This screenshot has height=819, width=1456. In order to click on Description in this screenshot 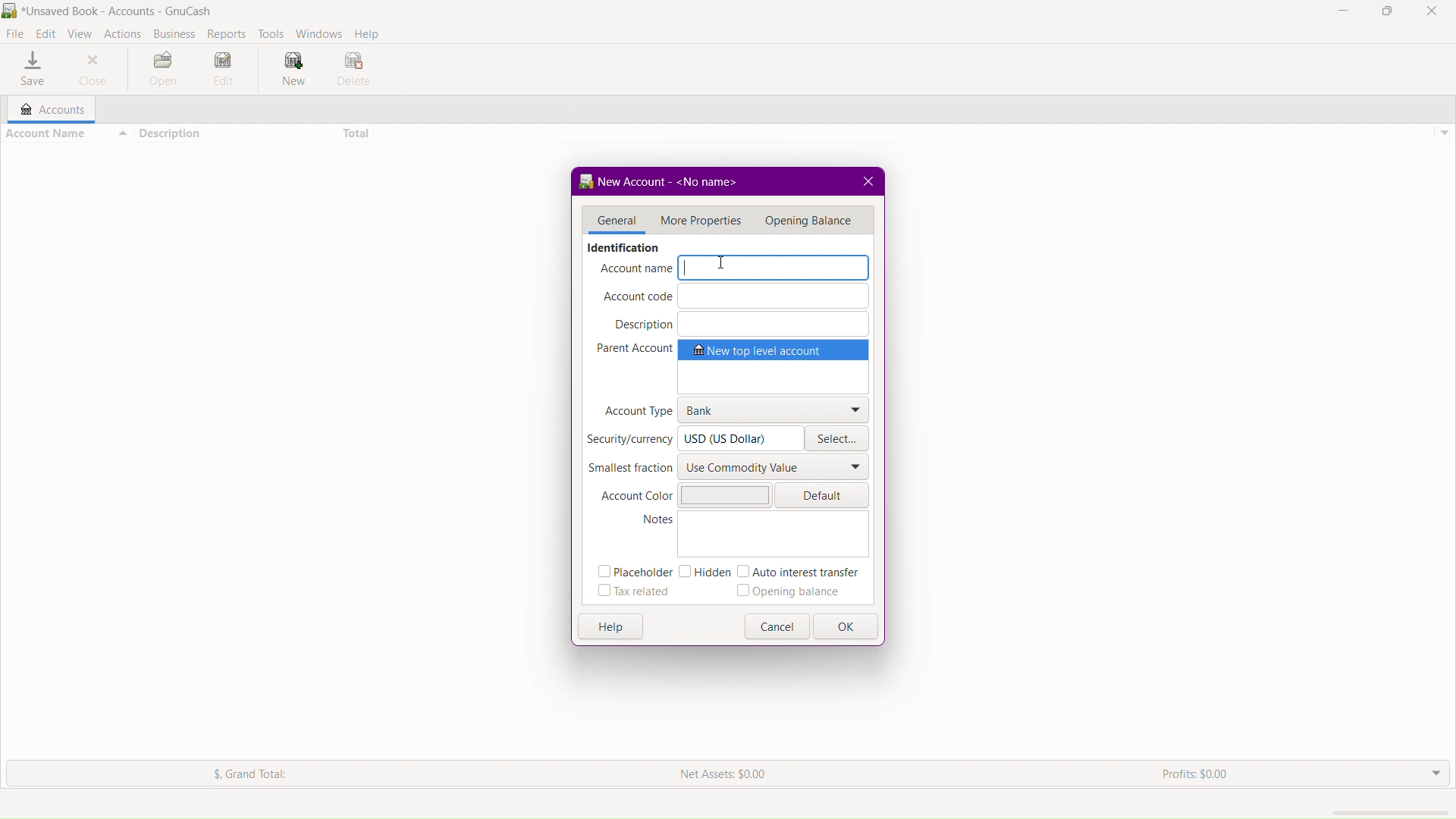, I will do `click(212, 133)`.